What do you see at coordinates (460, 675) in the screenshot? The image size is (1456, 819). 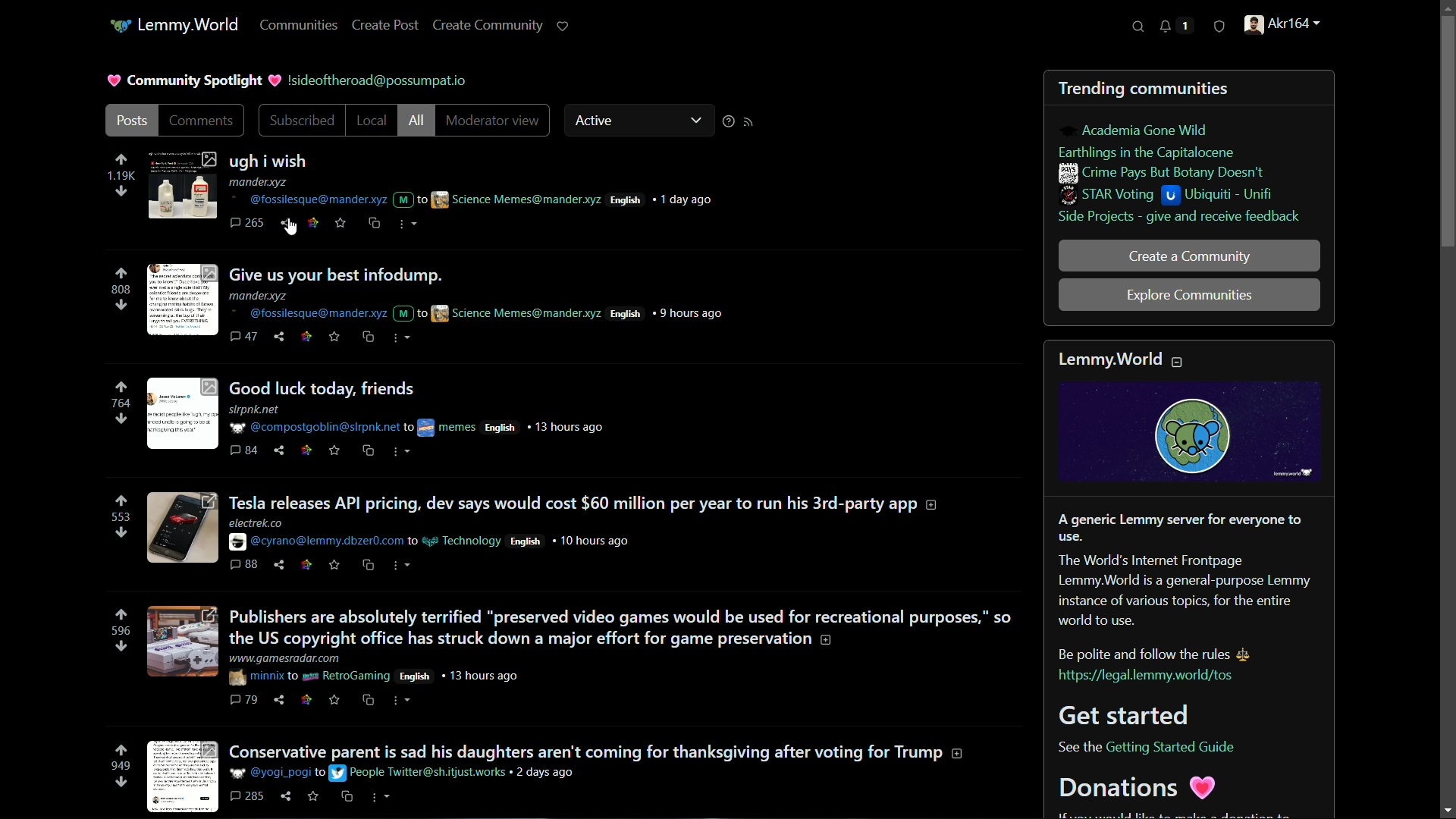 I see ` English  13 hours ago` at bounding box center [460, 675].